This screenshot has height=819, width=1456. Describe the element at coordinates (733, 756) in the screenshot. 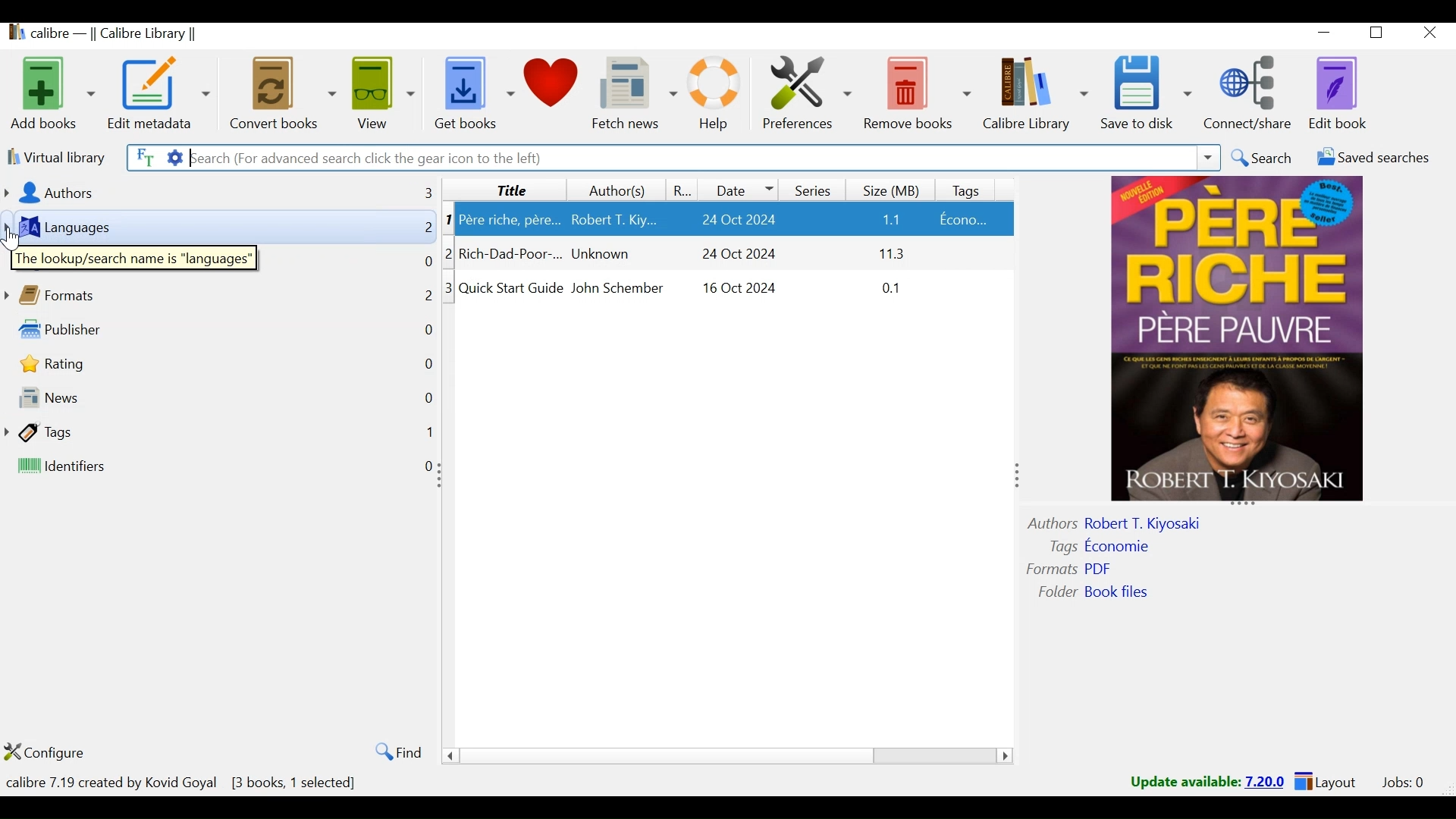

I see `scrollbar` at that location.